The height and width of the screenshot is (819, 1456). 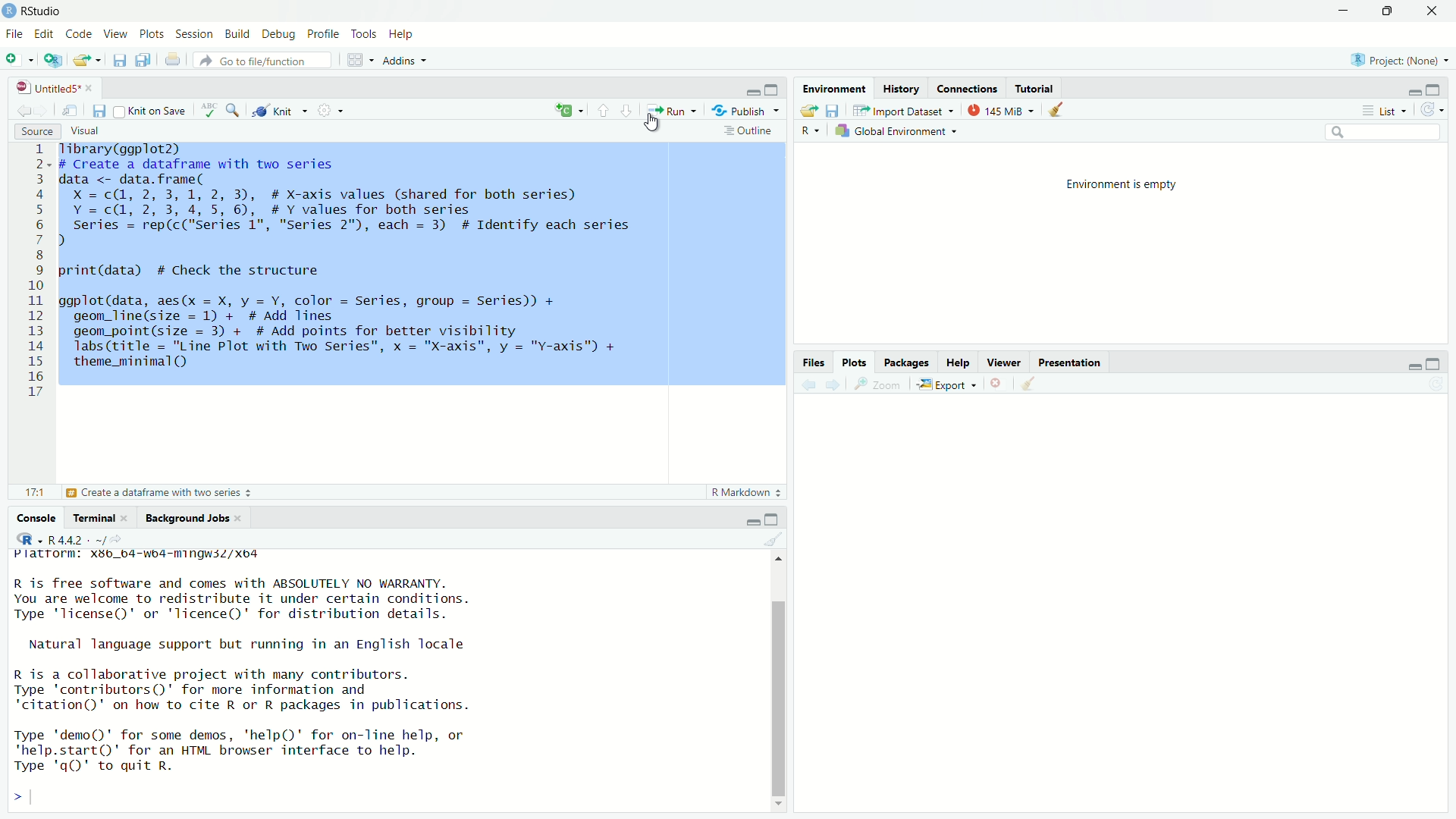 What do you see at coordinates (604, 111) in the screenshot?
I see `Go to previous section/chunk` at bounding box center [604, 111].